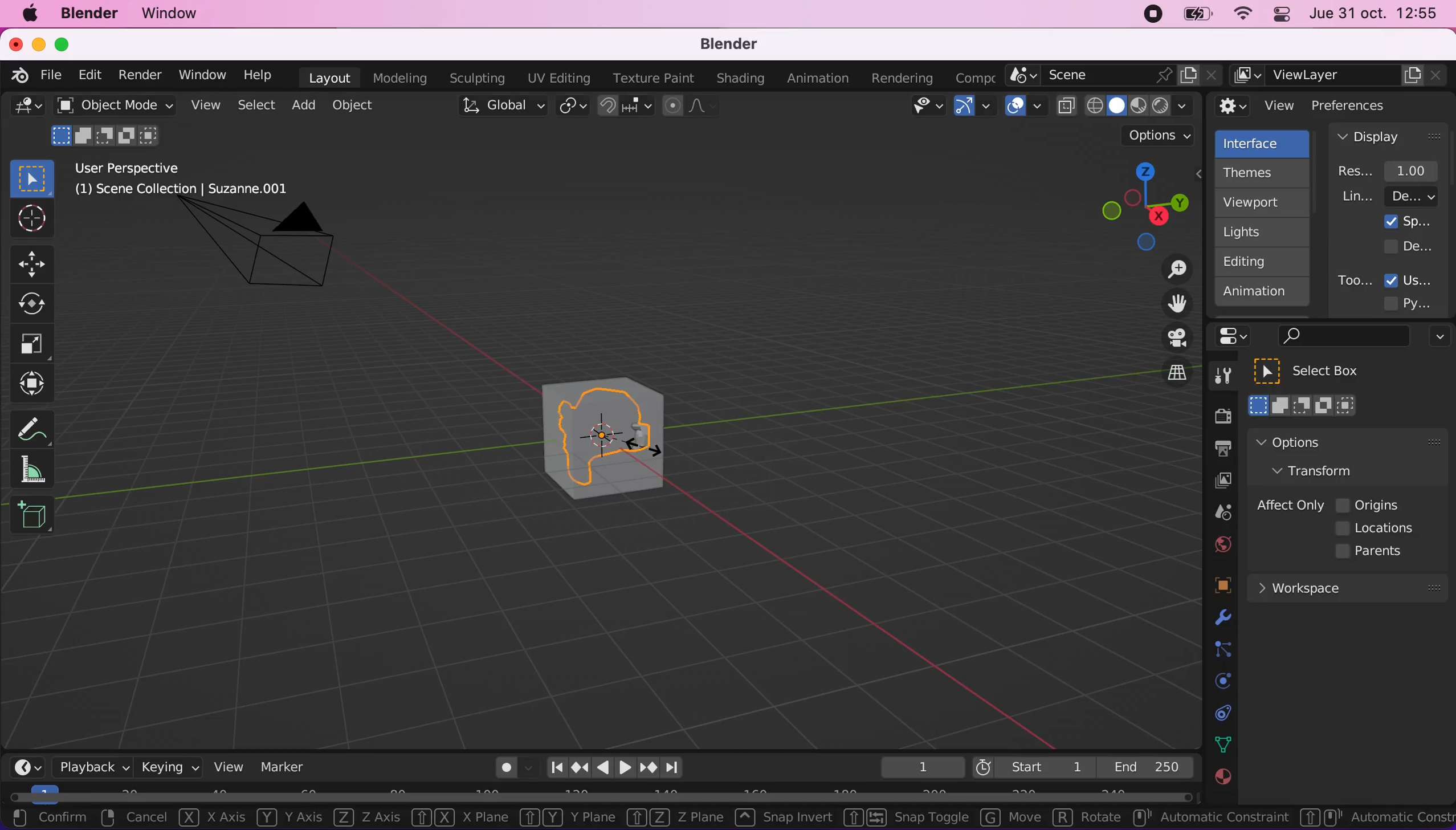  I want to click on workspace, so click(1347, 587).